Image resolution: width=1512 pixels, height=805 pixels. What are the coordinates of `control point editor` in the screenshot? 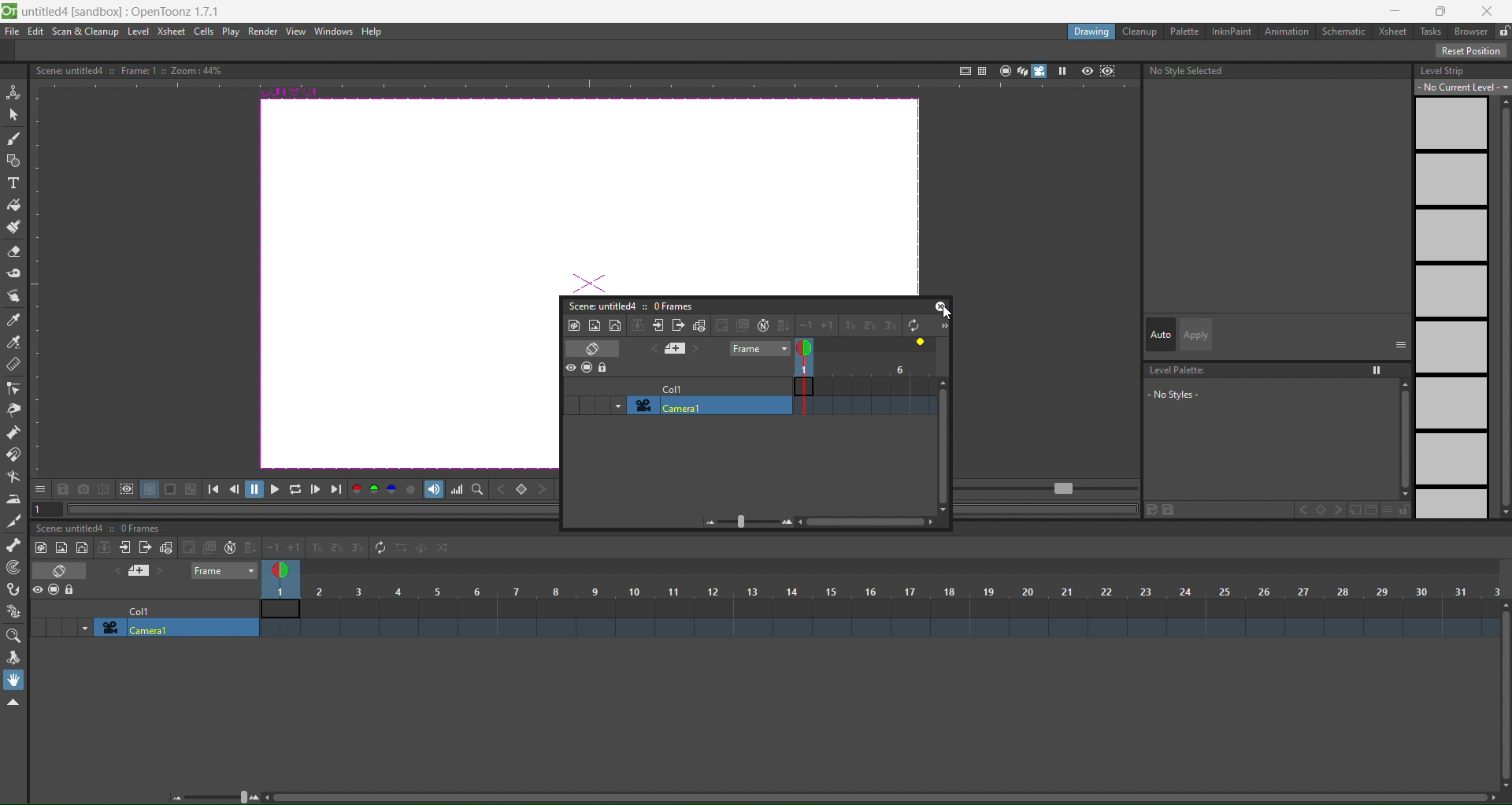 It's located at (13, 388).